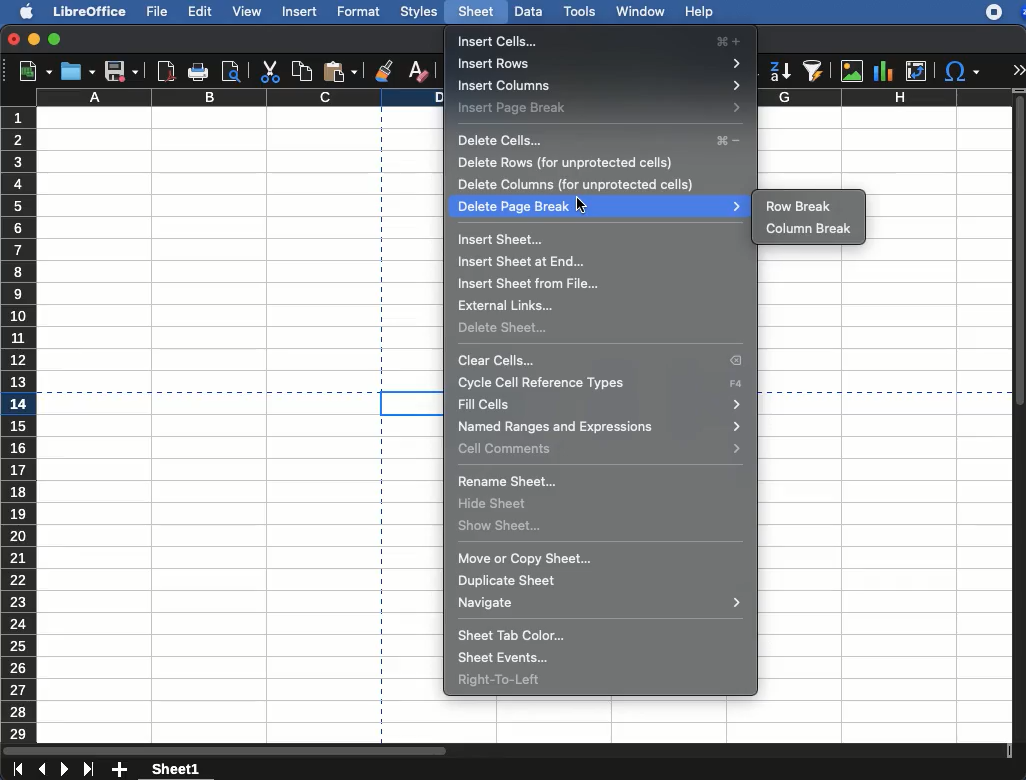 The image size is (1026, 780). What do you see at coordinates (122, 770) in the screenshot?
I see `add` at bounding box center [122, 770].